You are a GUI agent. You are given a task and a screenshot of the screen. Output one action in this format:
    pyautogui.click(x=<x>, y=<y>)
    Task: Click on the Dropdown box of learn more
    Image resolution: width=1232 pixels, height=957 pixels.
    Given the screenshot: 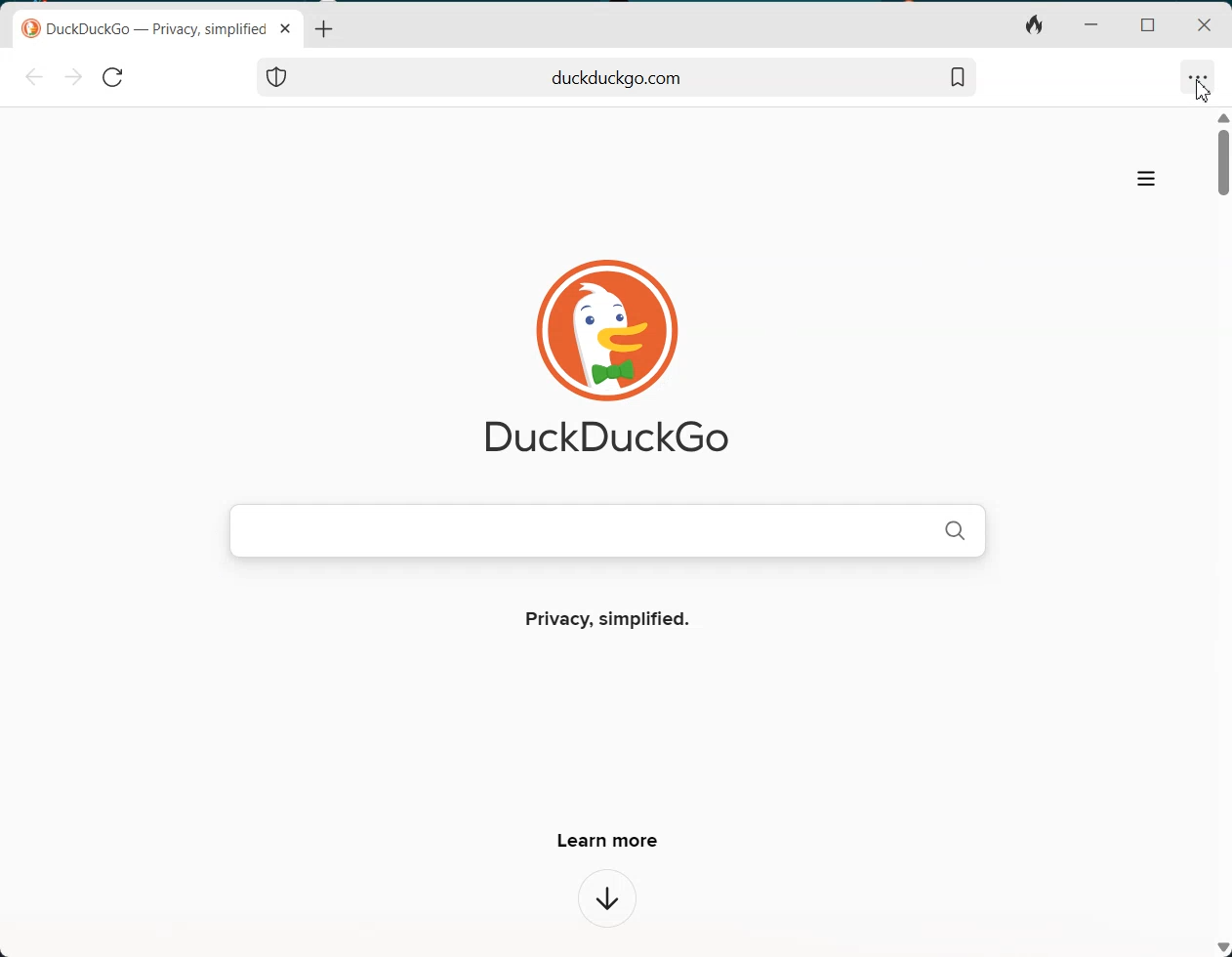 What is the action you would take?
    pyautogui.click(x=607, y=899)
    